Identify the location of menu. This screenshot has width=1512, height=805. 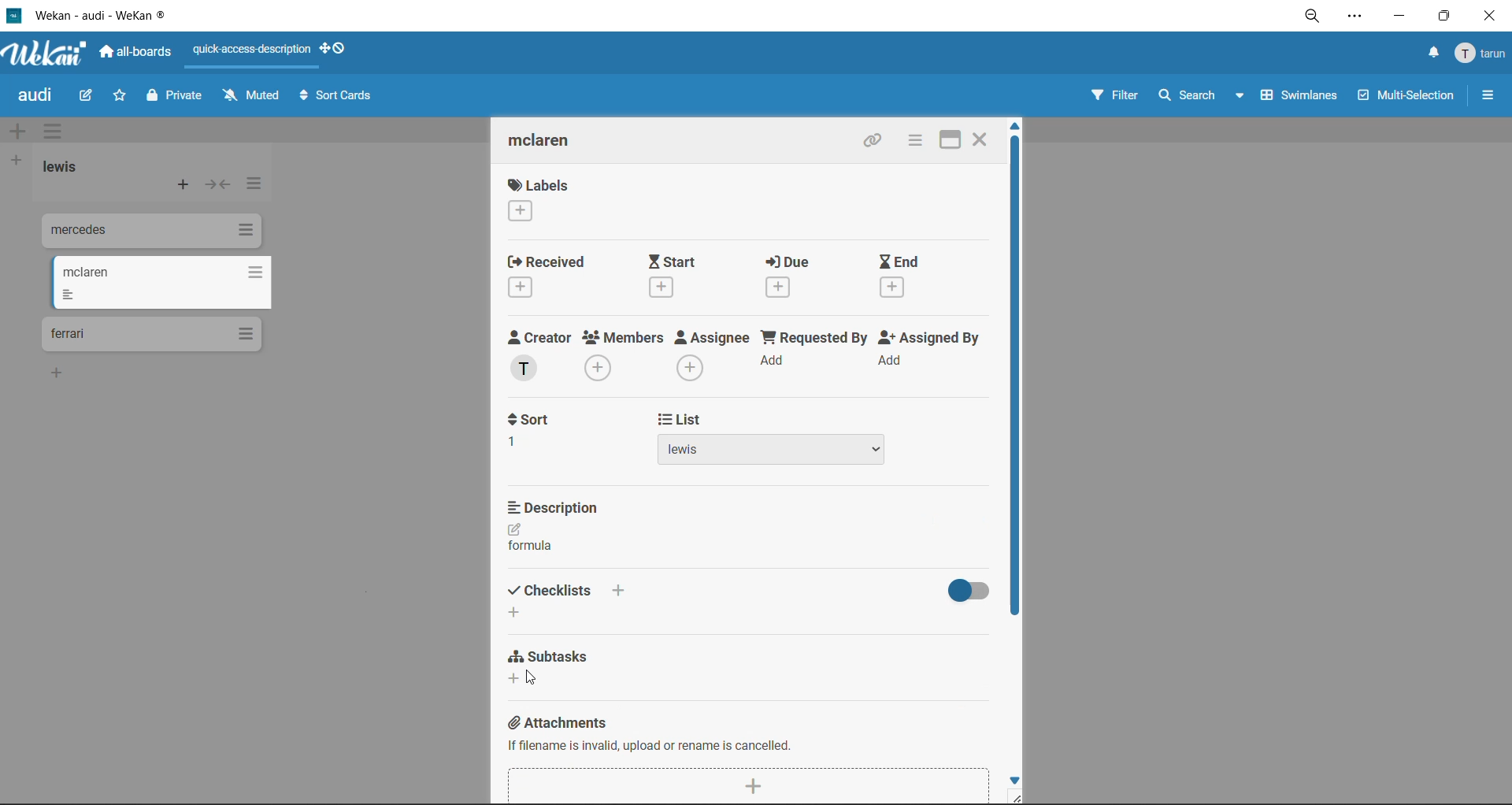
(1482, 54).